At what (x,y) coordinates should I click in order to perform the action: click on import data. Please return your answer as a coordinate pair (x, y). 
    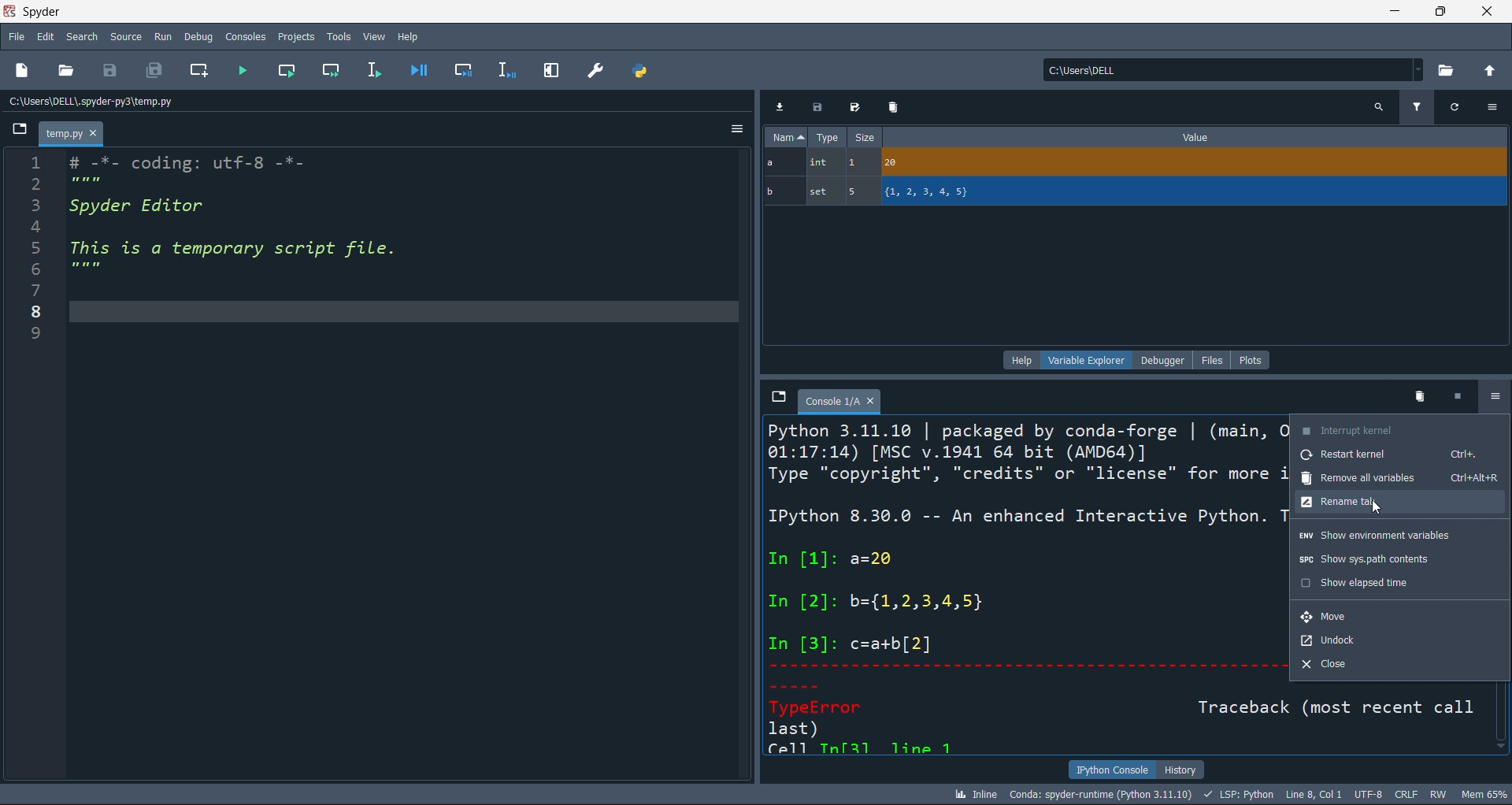
    Looking at the image, I should click on (781, 105).